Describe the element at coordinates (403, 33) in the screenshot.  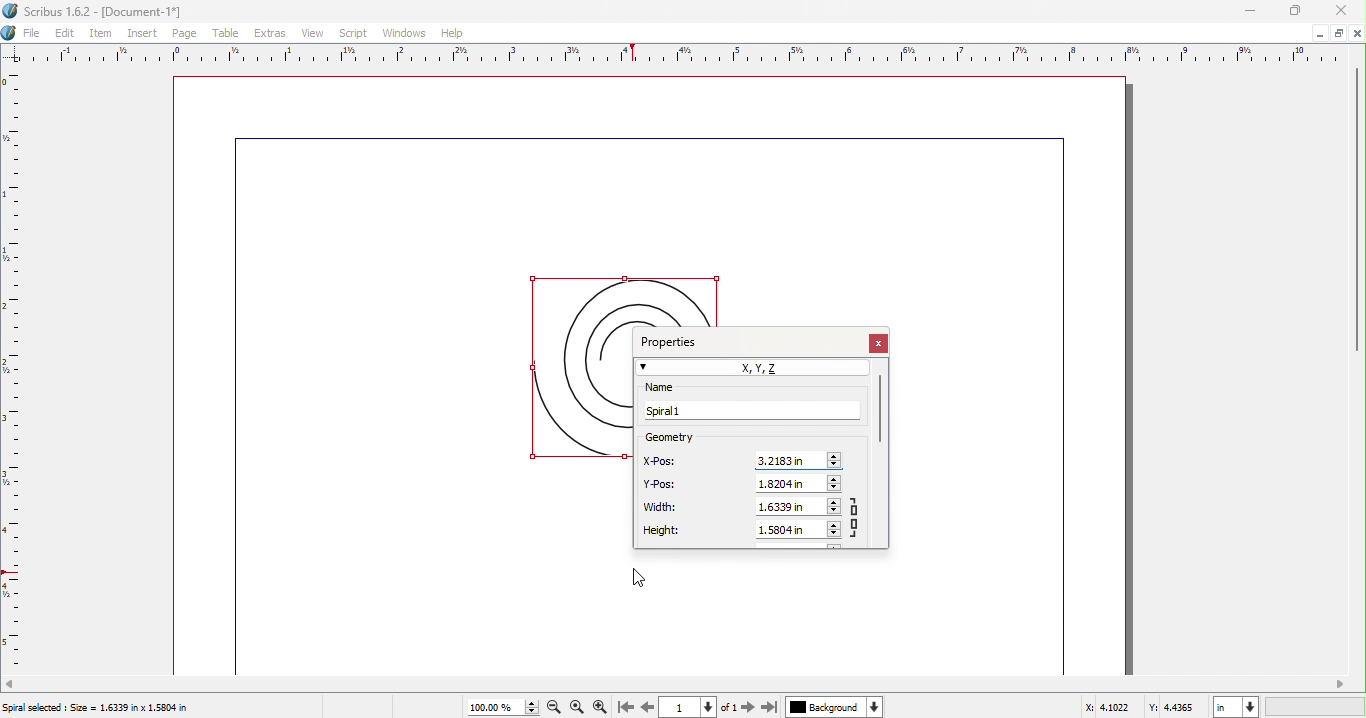
I see `Windows` at that location.